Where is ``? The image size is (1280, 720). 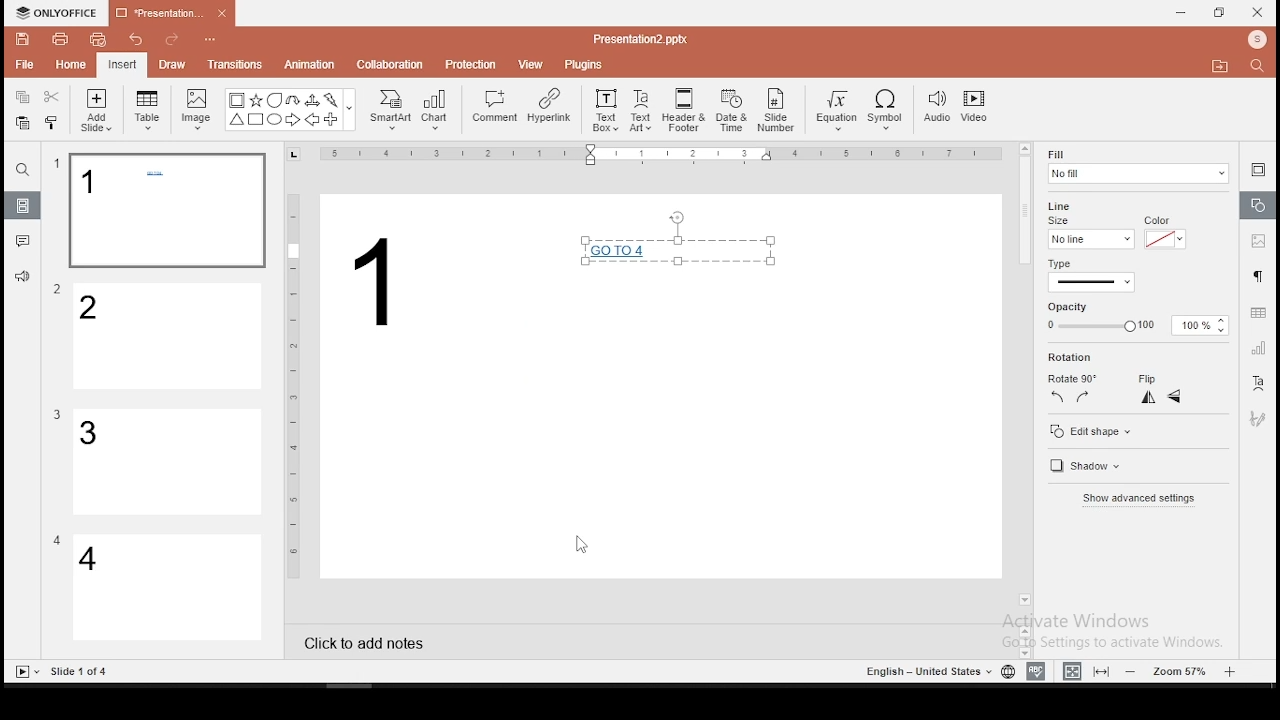  is located at coordinates (212, 41).